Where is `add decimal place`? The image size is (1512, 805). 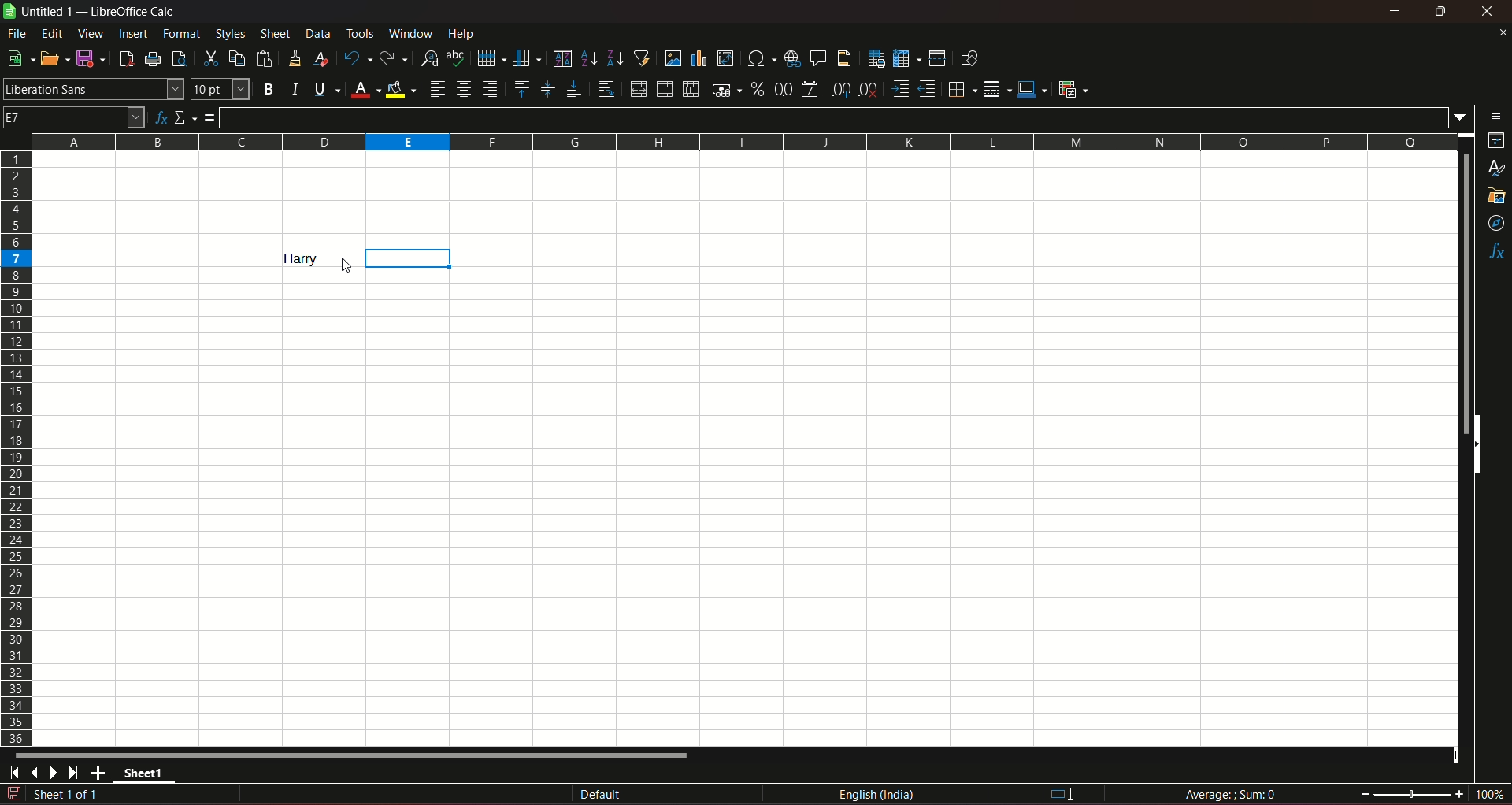
add decimal place is located at coordinates (838, 90).